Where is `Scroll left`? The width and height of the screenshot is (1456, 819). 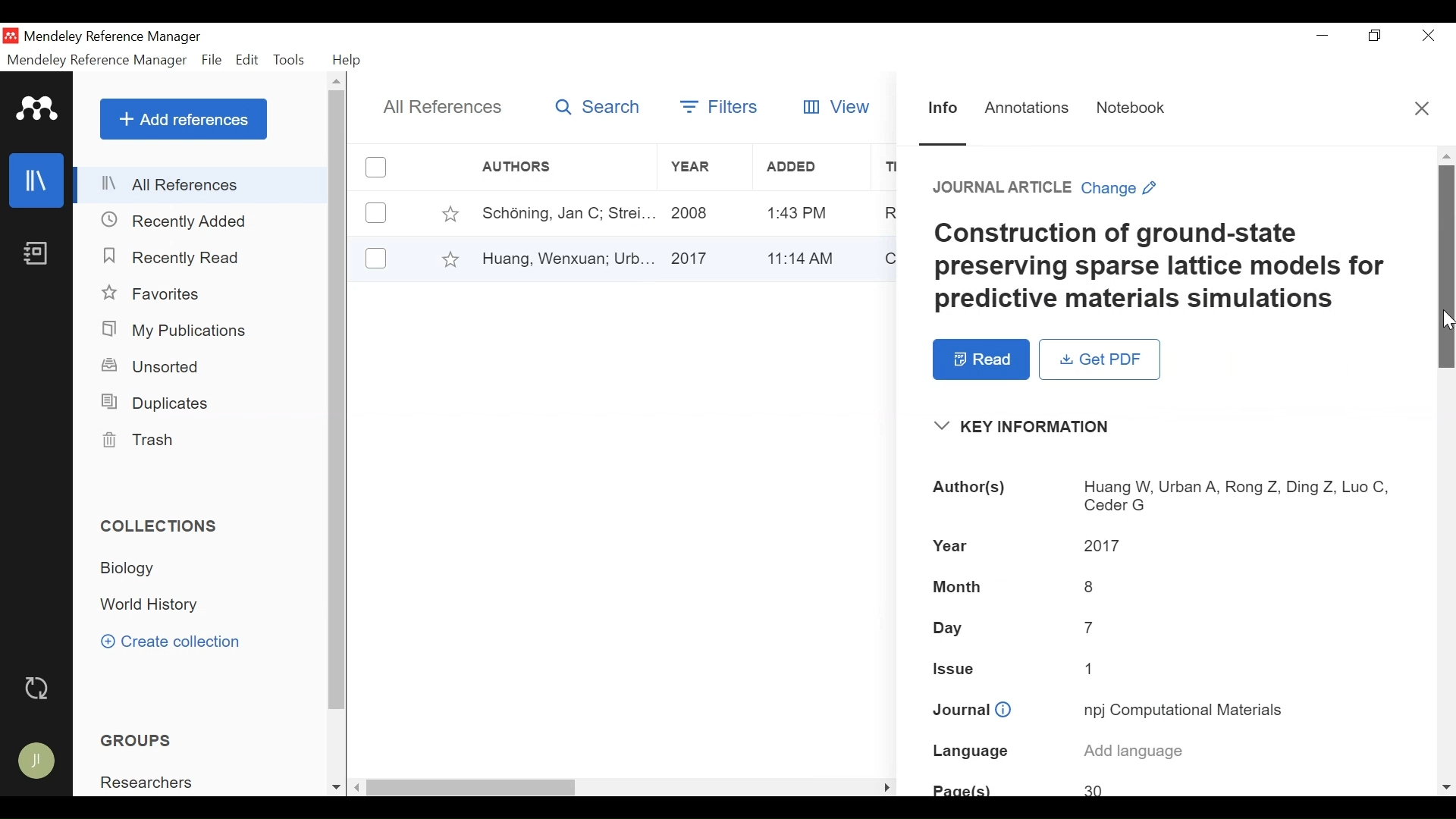
Scroll left is located at coordinates (358, 787).